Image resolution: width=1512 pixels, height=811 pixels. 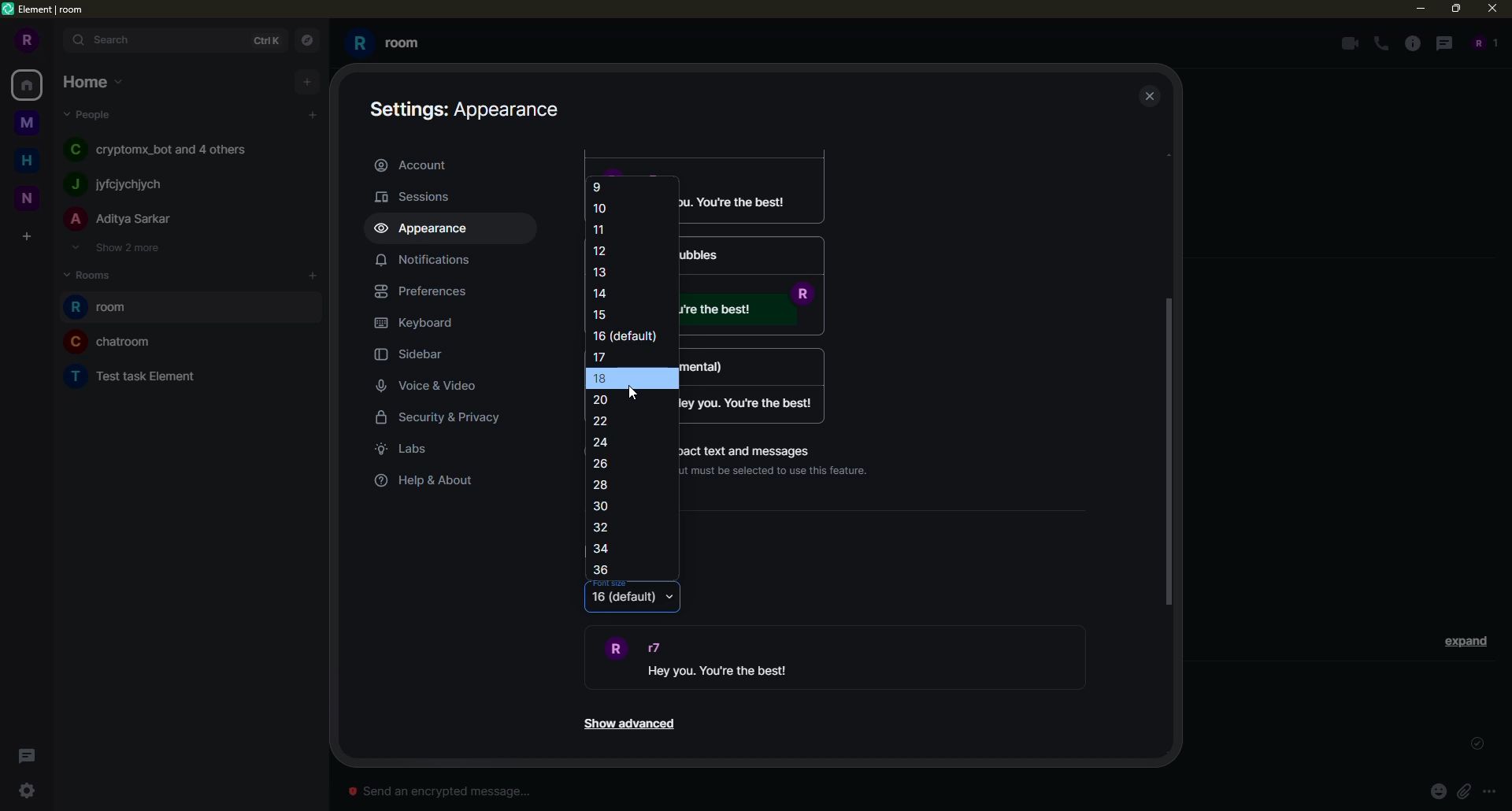 What do you see at coordinates (112, 341) in the screenshot?
I see `room` at bounding box center [112, 341].